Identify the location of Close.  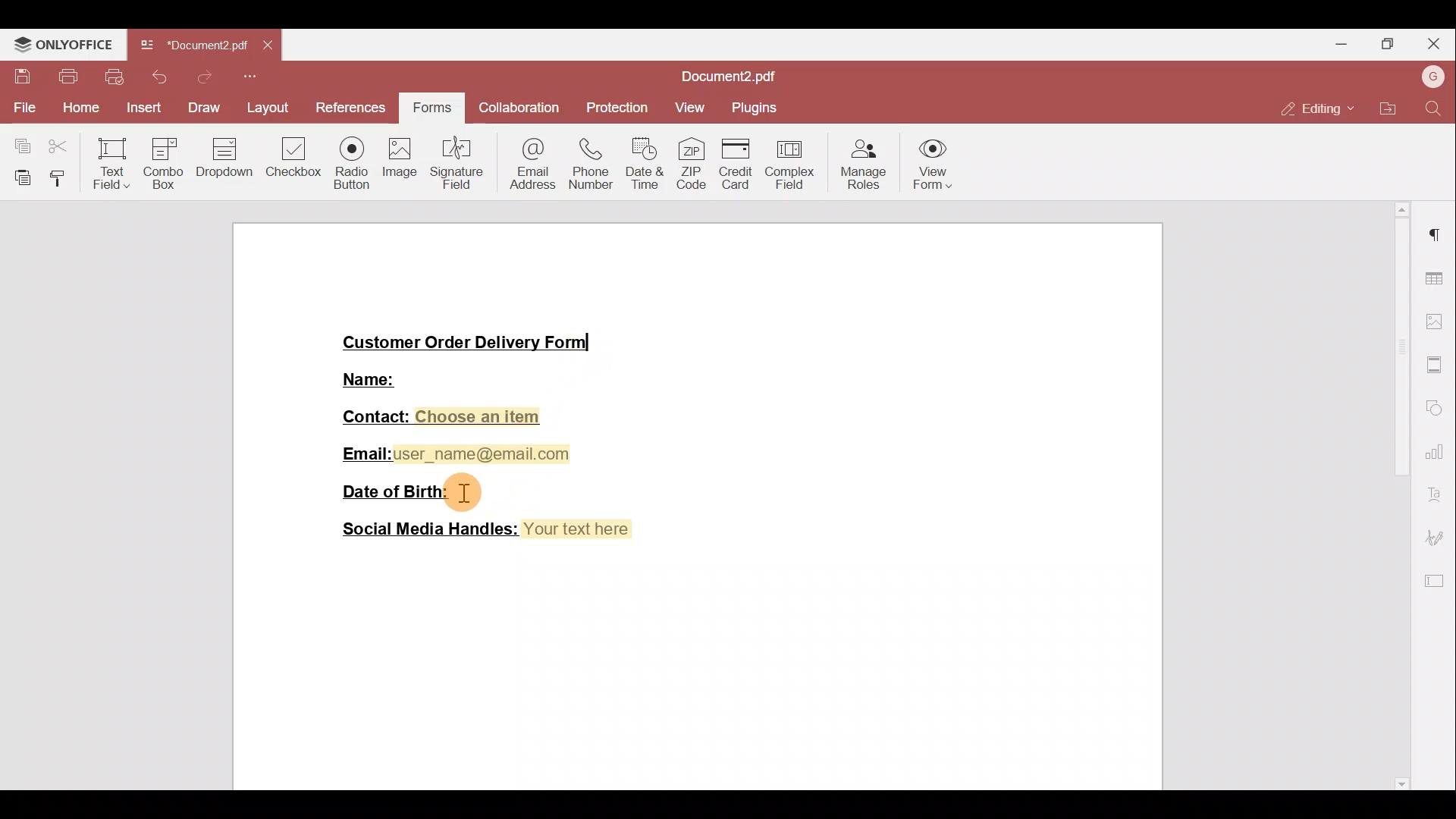
(1434, 44).